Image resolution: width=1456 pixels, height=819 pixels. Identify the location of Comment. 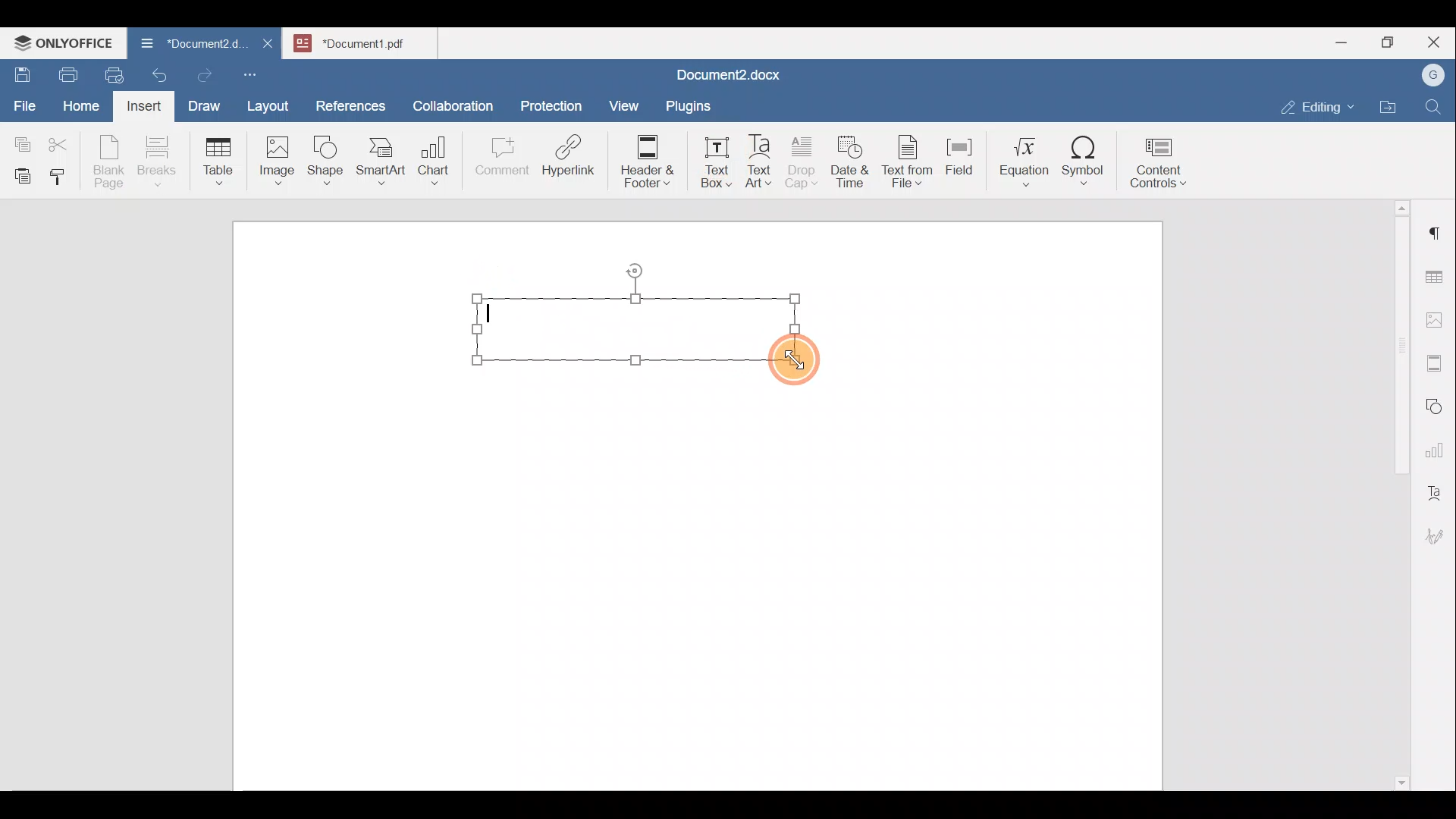
(497, 160).